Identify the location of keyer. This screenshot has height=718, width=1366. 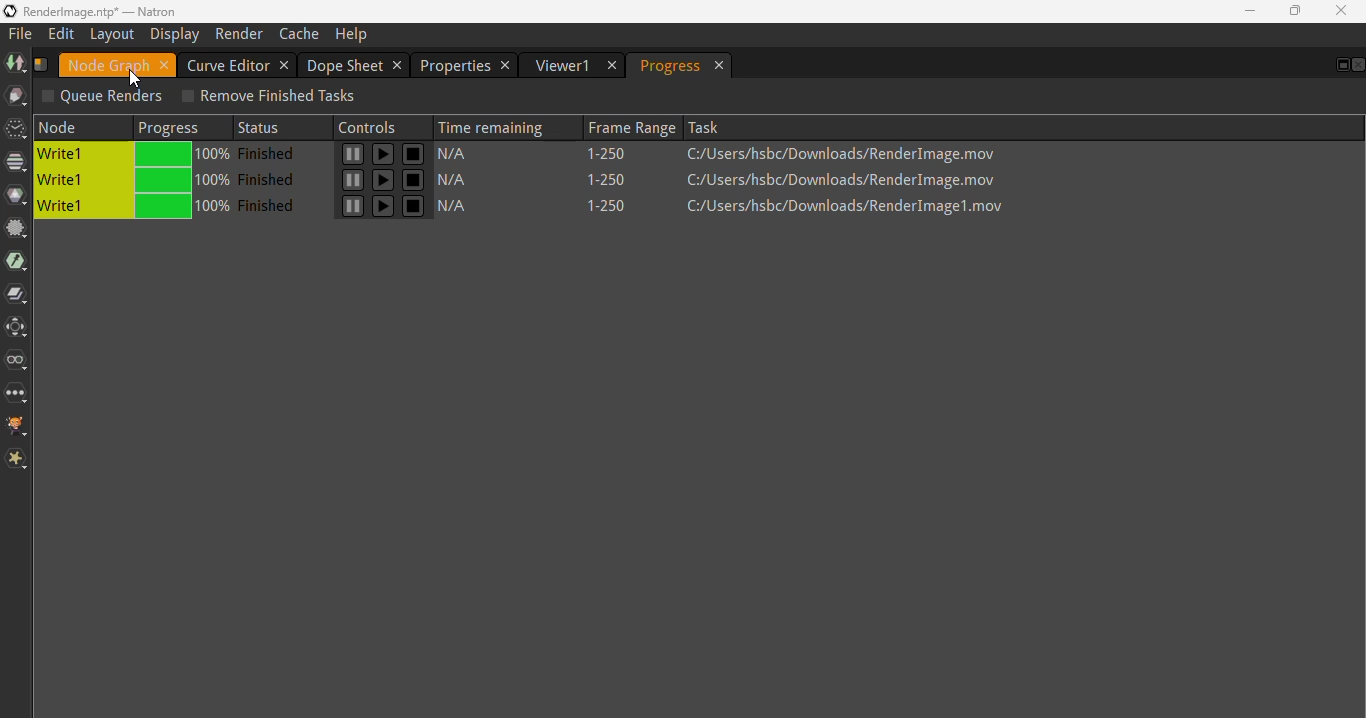
(16, 262).